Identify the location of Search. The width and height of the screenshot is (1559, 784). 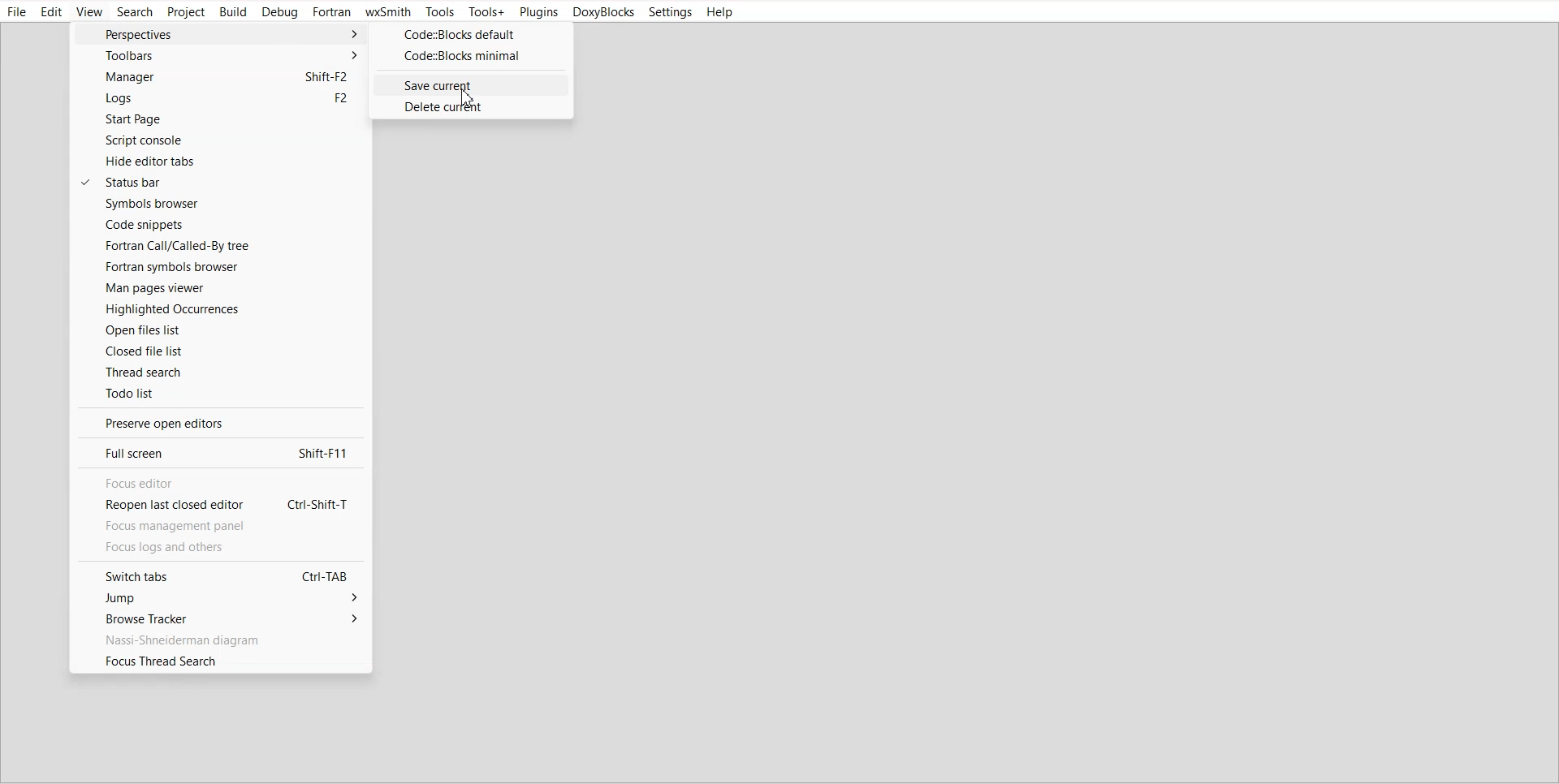
(135, 12).